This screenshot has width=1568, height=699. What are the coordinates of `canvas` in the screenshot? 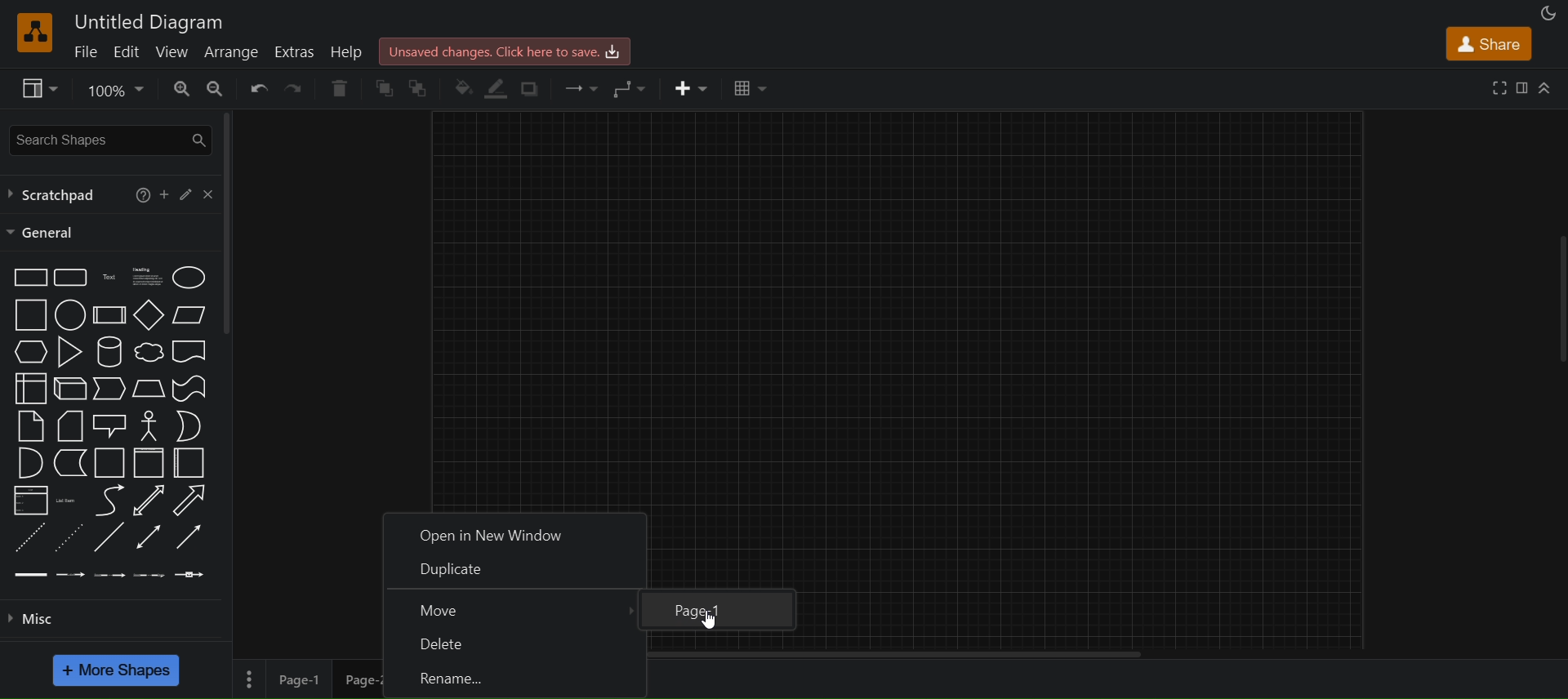 It's located at (898, 307).